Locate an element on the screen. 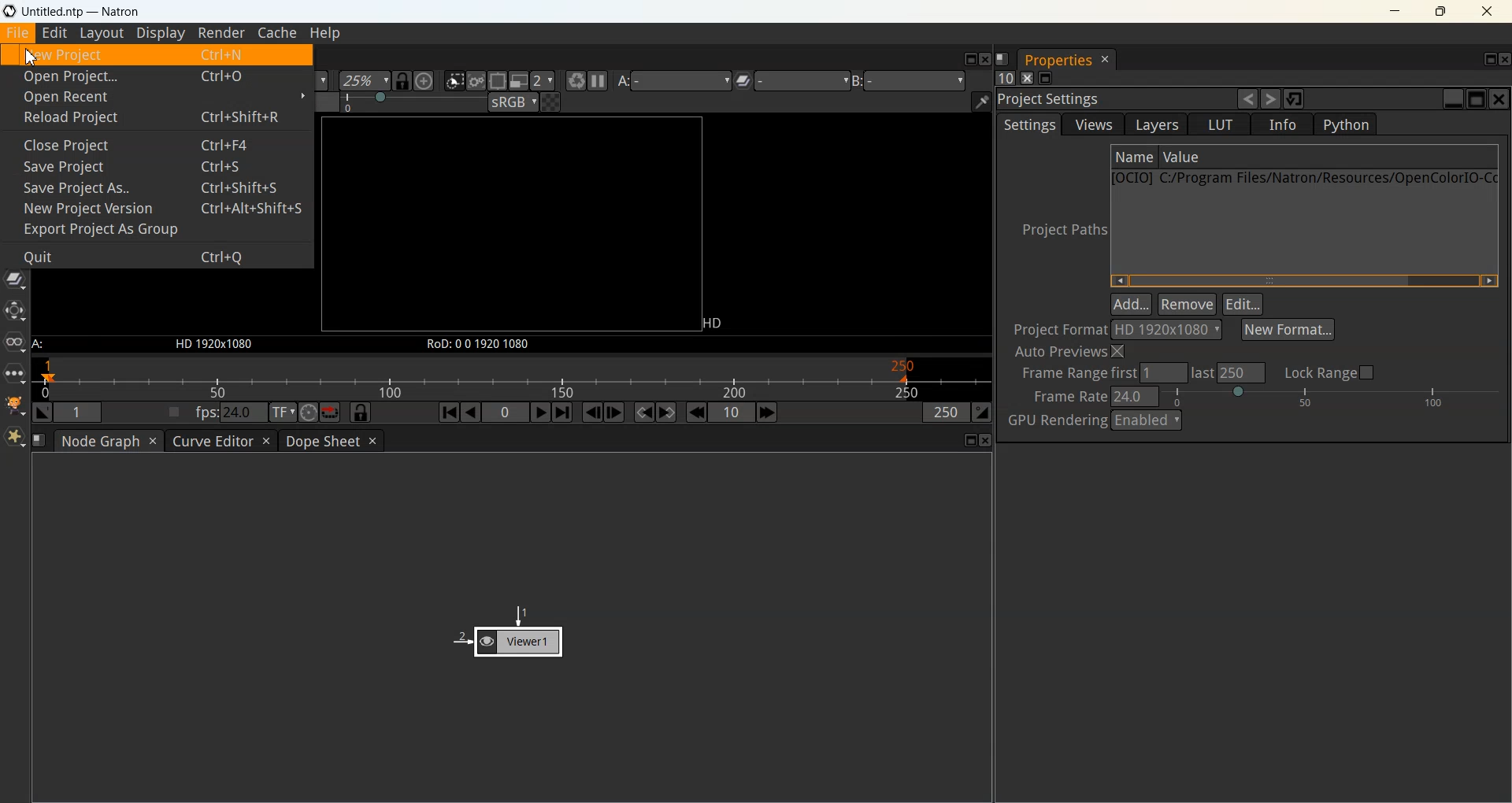 Image resolution: width=1512 pixels, height=803 pixels. File is located at coordinates (18, 33).